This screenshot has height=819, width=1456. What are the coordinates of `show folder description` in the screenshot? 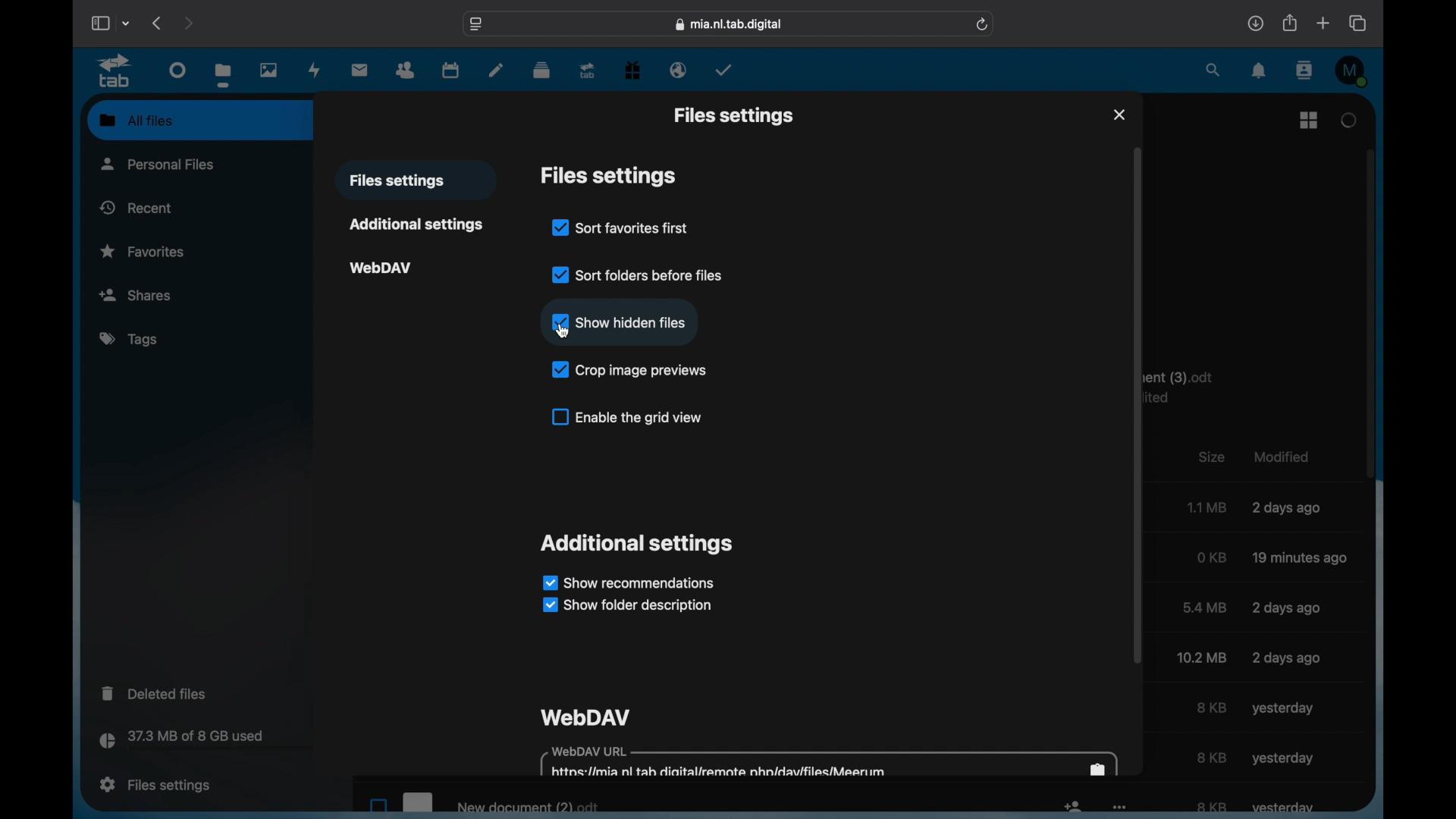 It's located at (628, 606).